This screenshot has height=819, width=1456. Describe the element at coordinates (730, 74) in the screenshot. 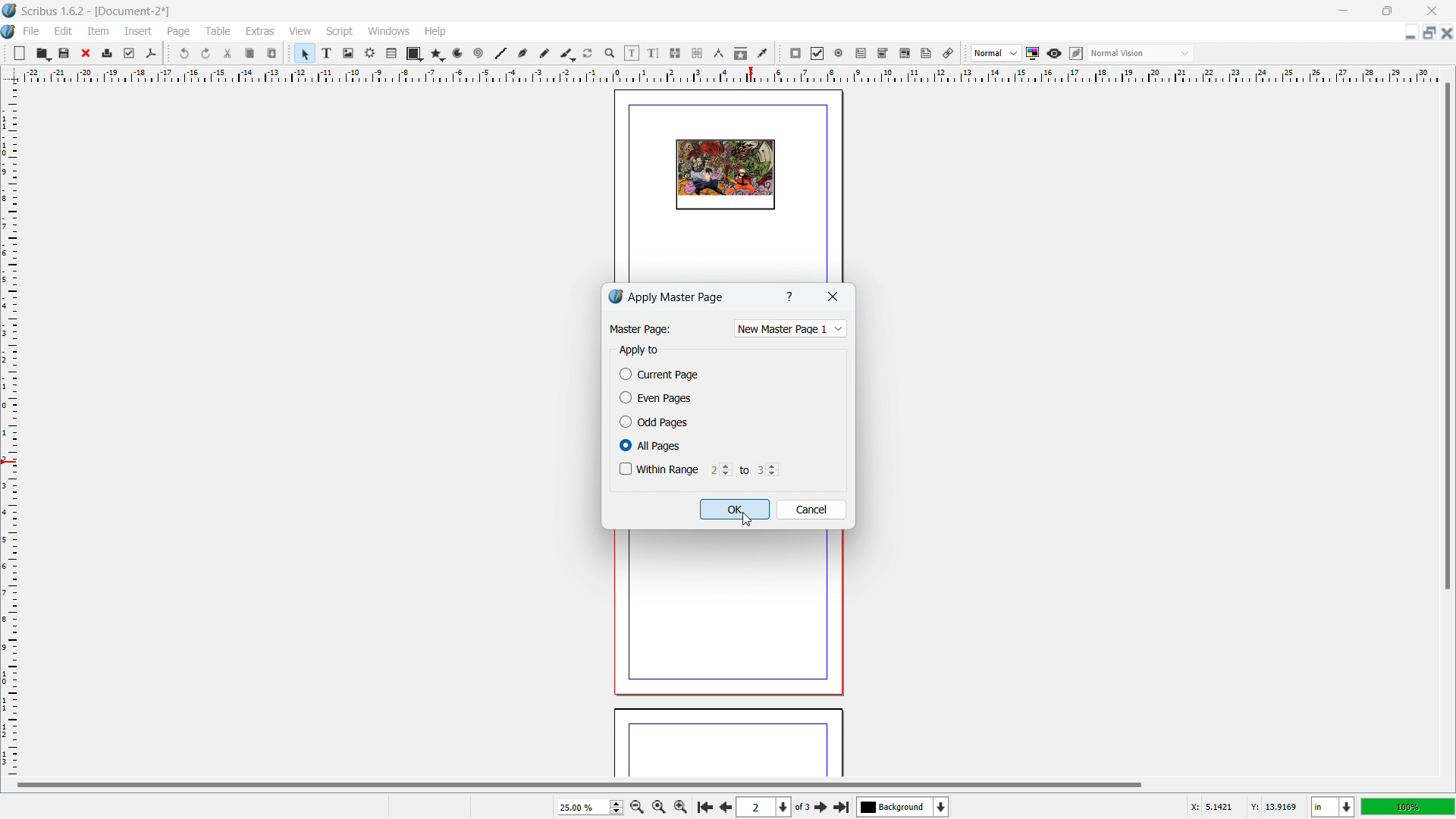

I see `horizontal ruler` at that location.